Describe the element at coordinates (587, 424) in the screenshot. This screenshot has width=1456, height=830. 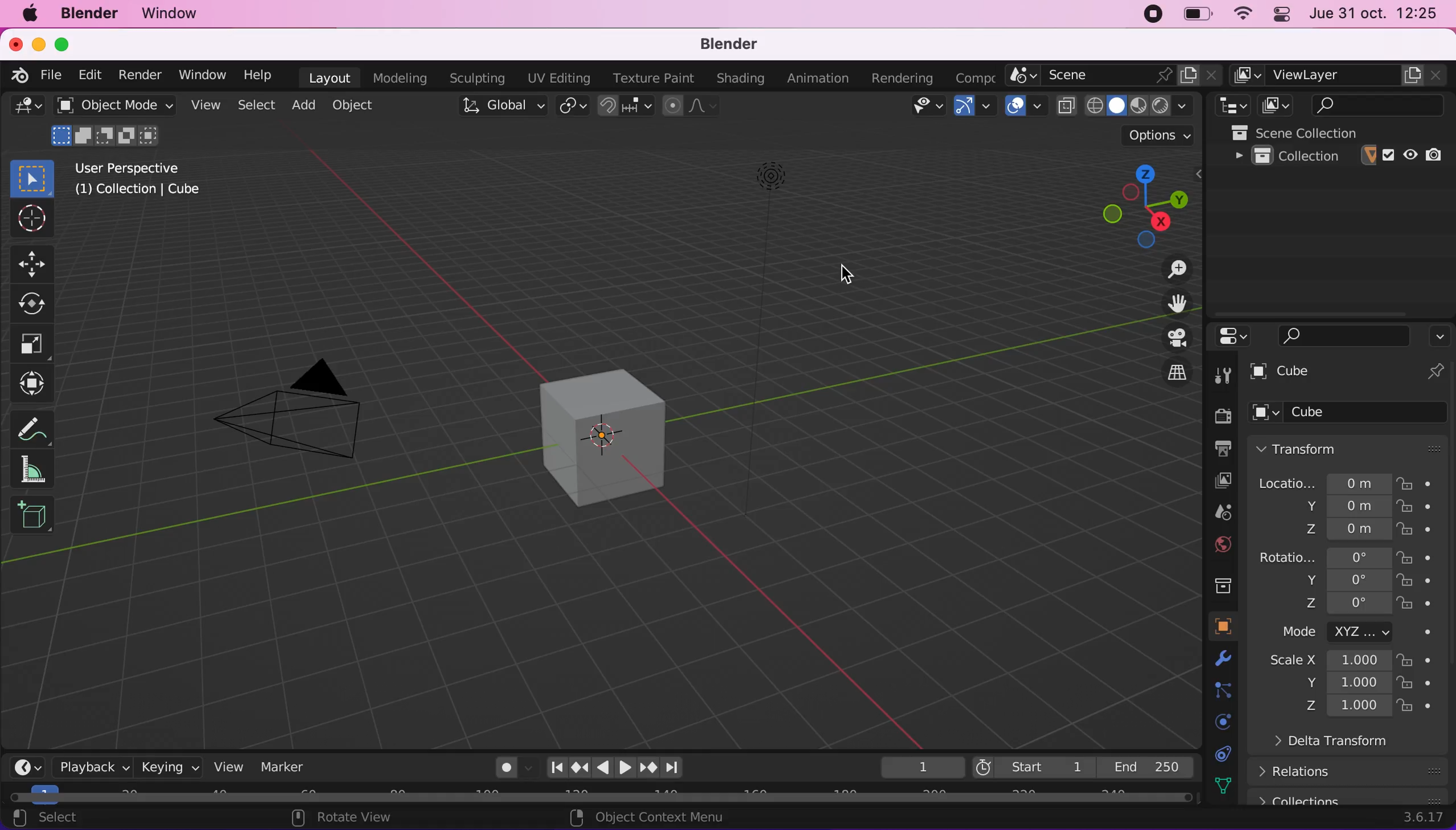
I see `cube` at that location.